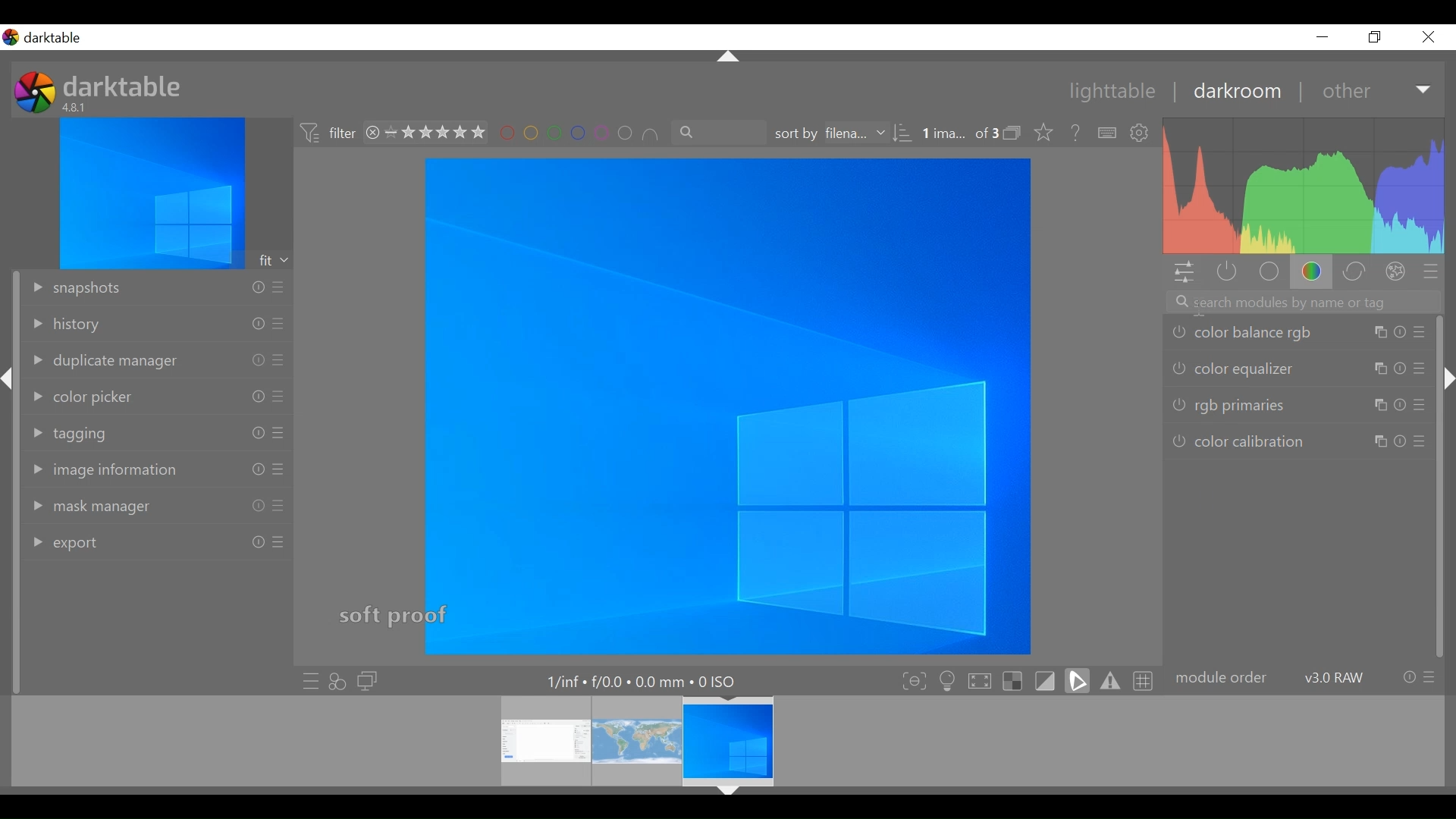 The width and height of the screenshot is (1456, 819). What do you see at coordinates (1425, 91) in the screenshot?
I see `Expand` at bounding box center [1425, 91].